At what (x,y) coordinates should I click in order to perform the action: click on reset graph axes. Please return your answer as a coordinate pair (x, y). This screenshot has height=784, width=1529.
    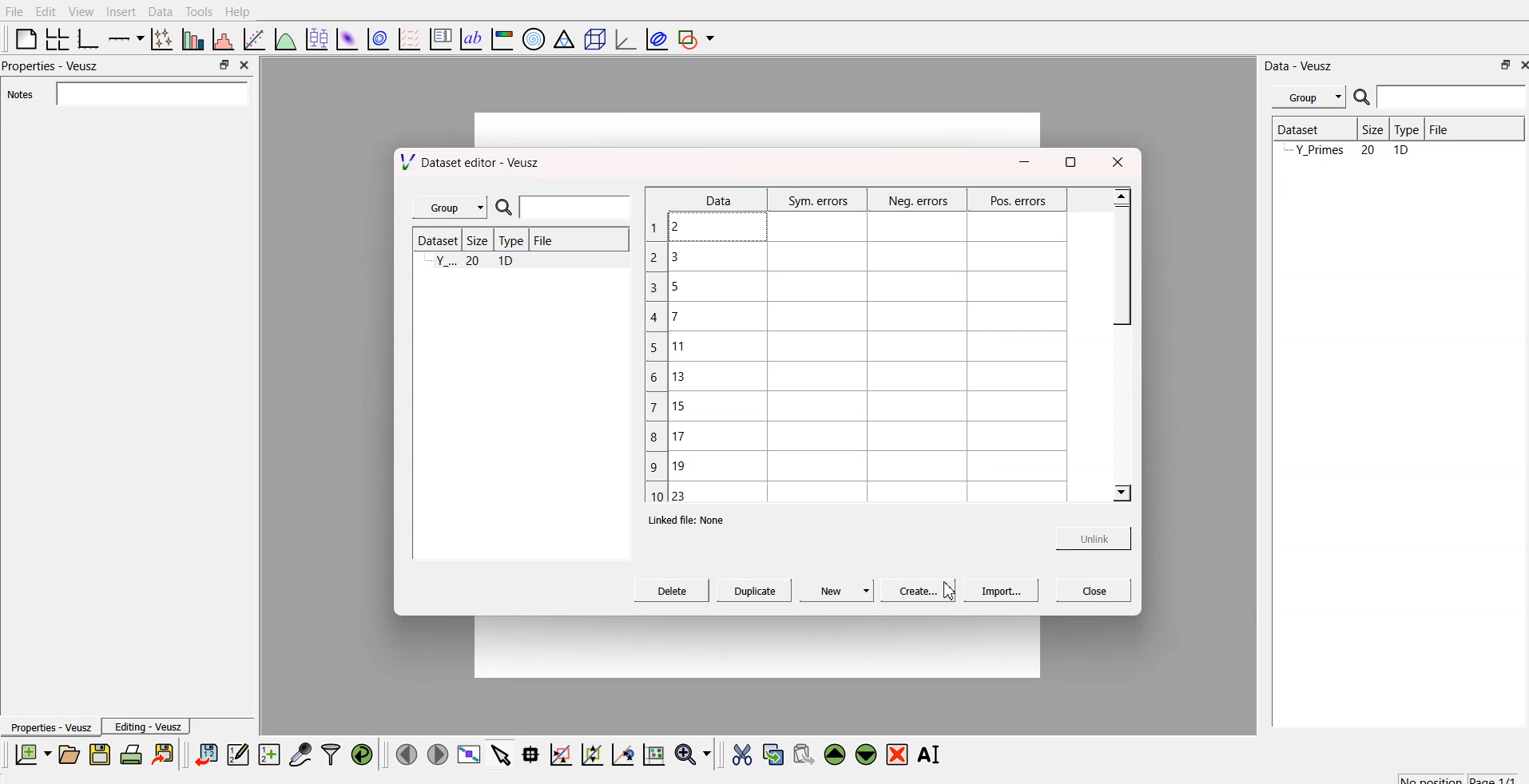
    Looking at the image, I should click on (653, 752).